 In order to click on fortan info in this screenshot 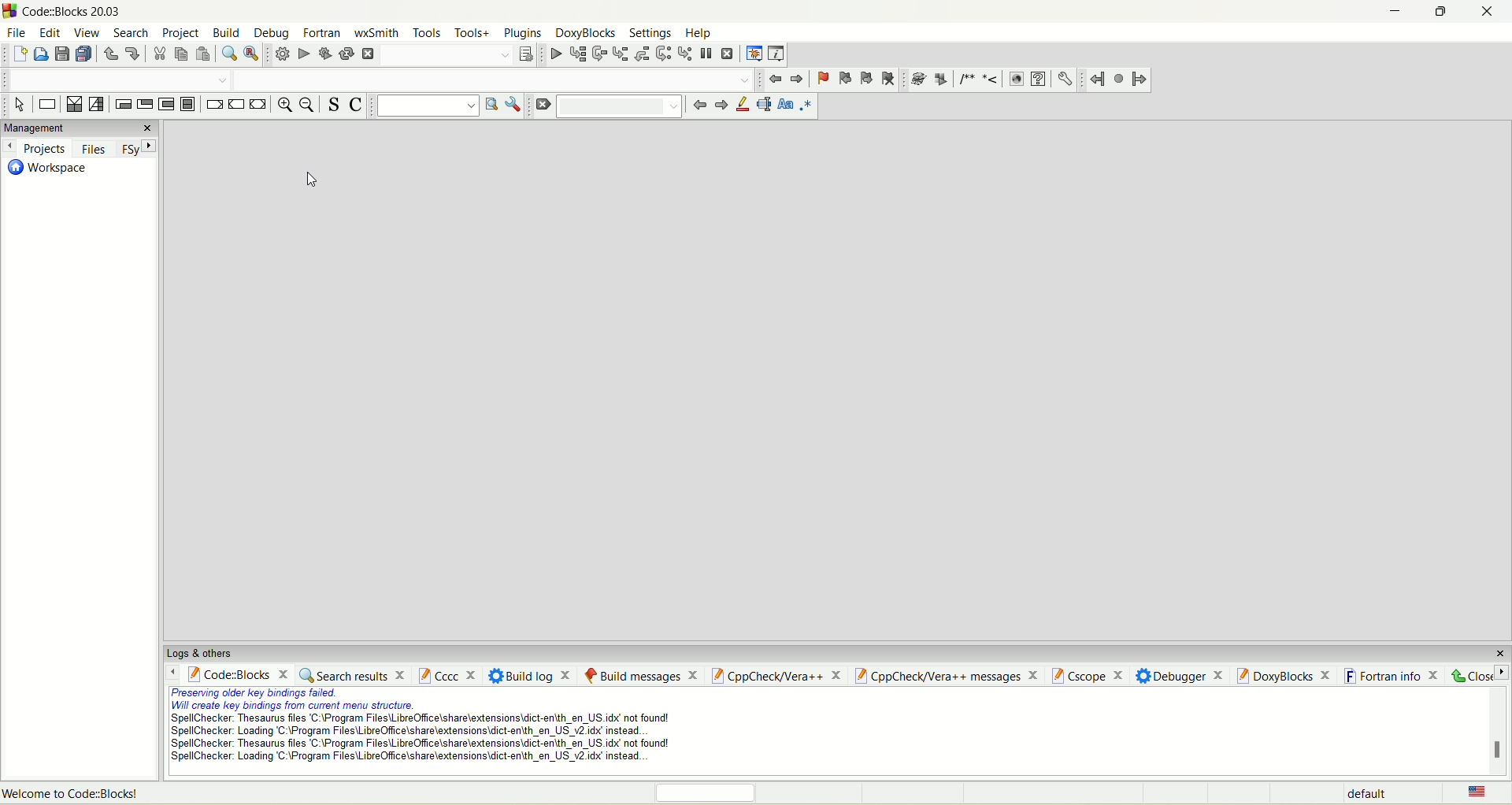, I will do `click(1392, 673)`.